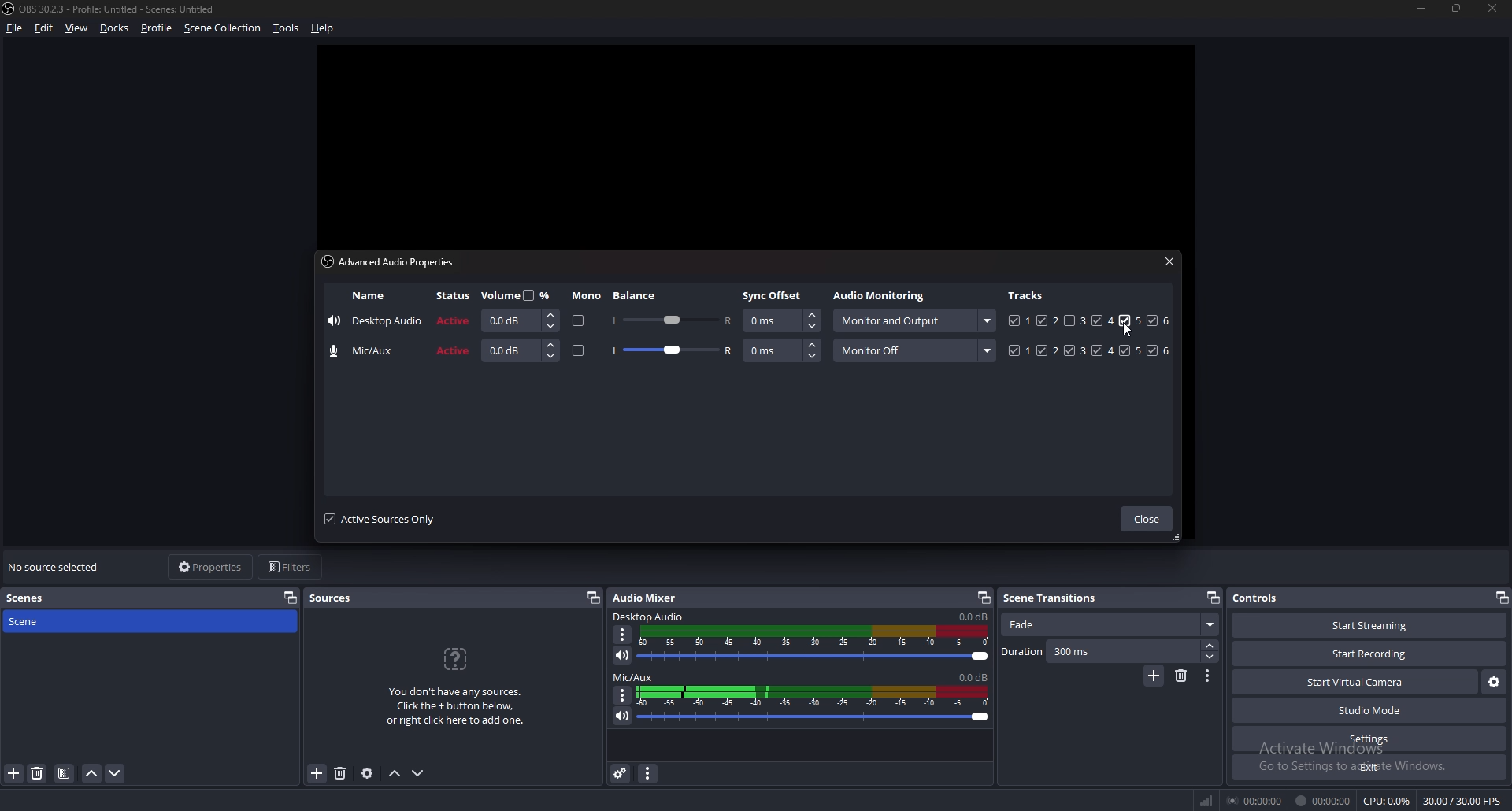 The width and height of the screenshot is (1512, 811). Describe the element at coordinates (648, 598) in the screenshot. I see `audio mixer` at that location.